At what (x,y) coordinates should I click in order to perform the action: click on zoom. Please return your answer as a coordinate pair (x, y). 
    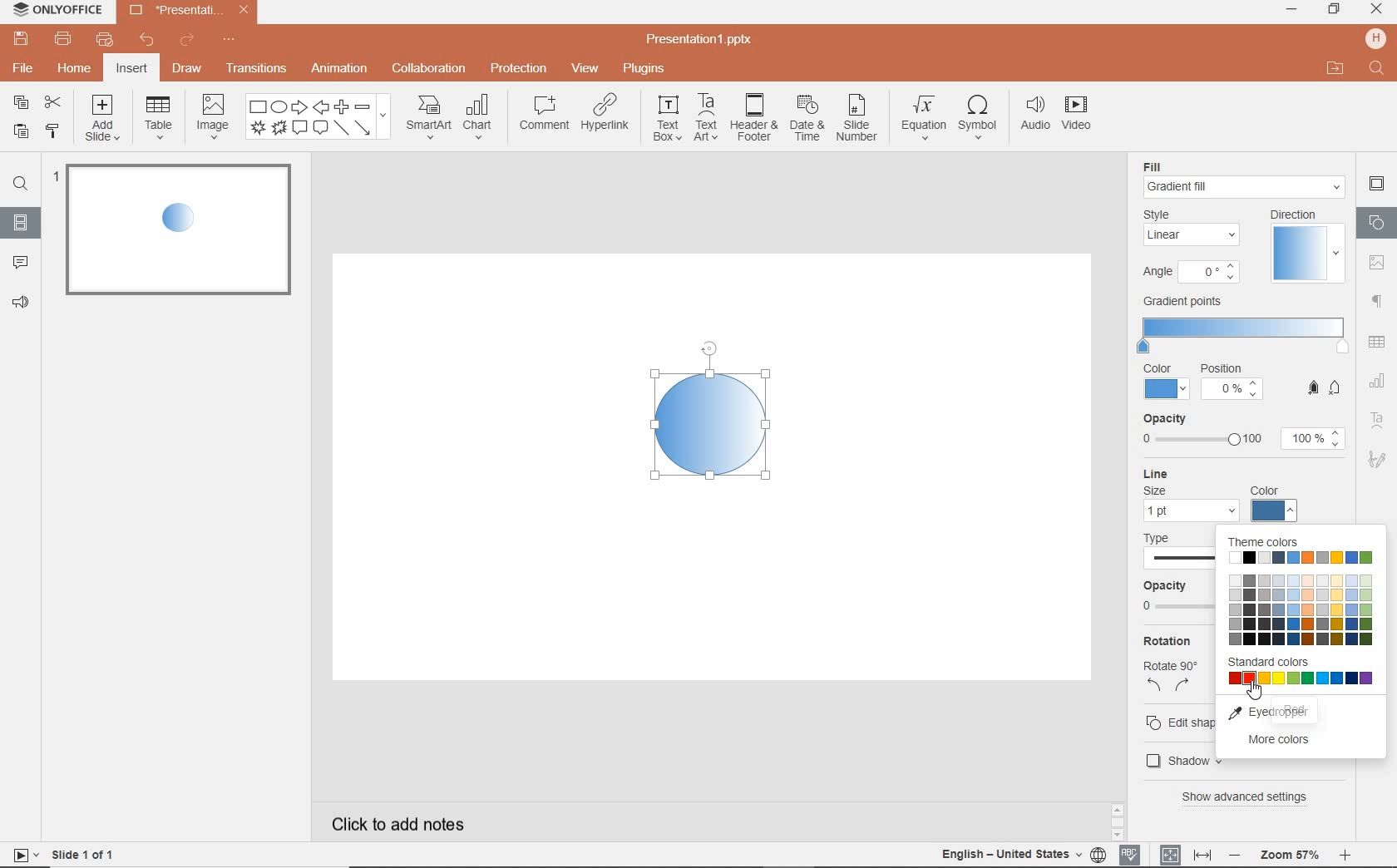
    Looking at the image, I should click on (1290, 856).